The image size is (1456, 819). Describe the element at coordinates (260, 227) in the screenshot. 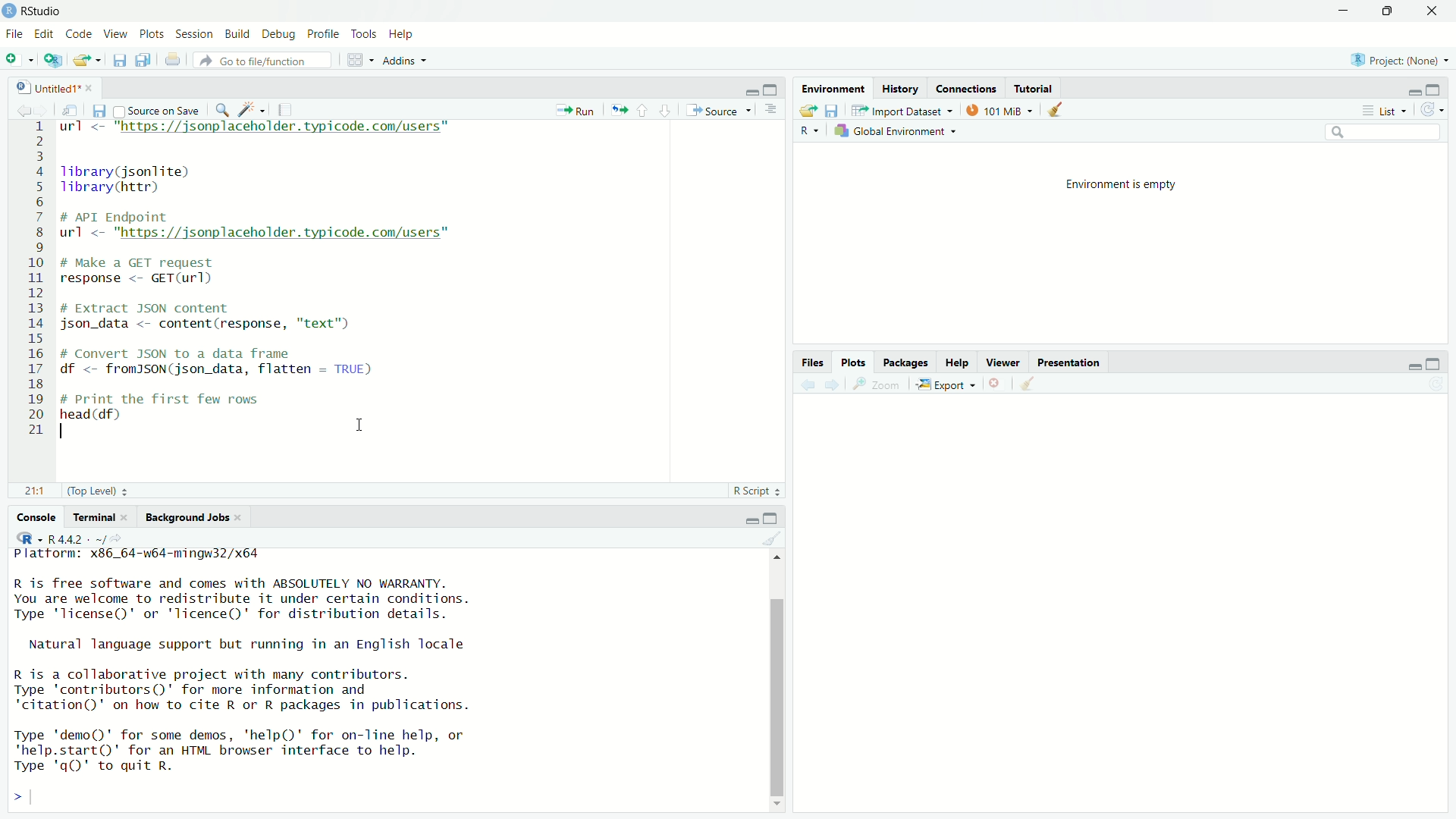

I see `# API Endpoint
url <- "https://jsonplaceholder. typicode.com/users"` at that location.